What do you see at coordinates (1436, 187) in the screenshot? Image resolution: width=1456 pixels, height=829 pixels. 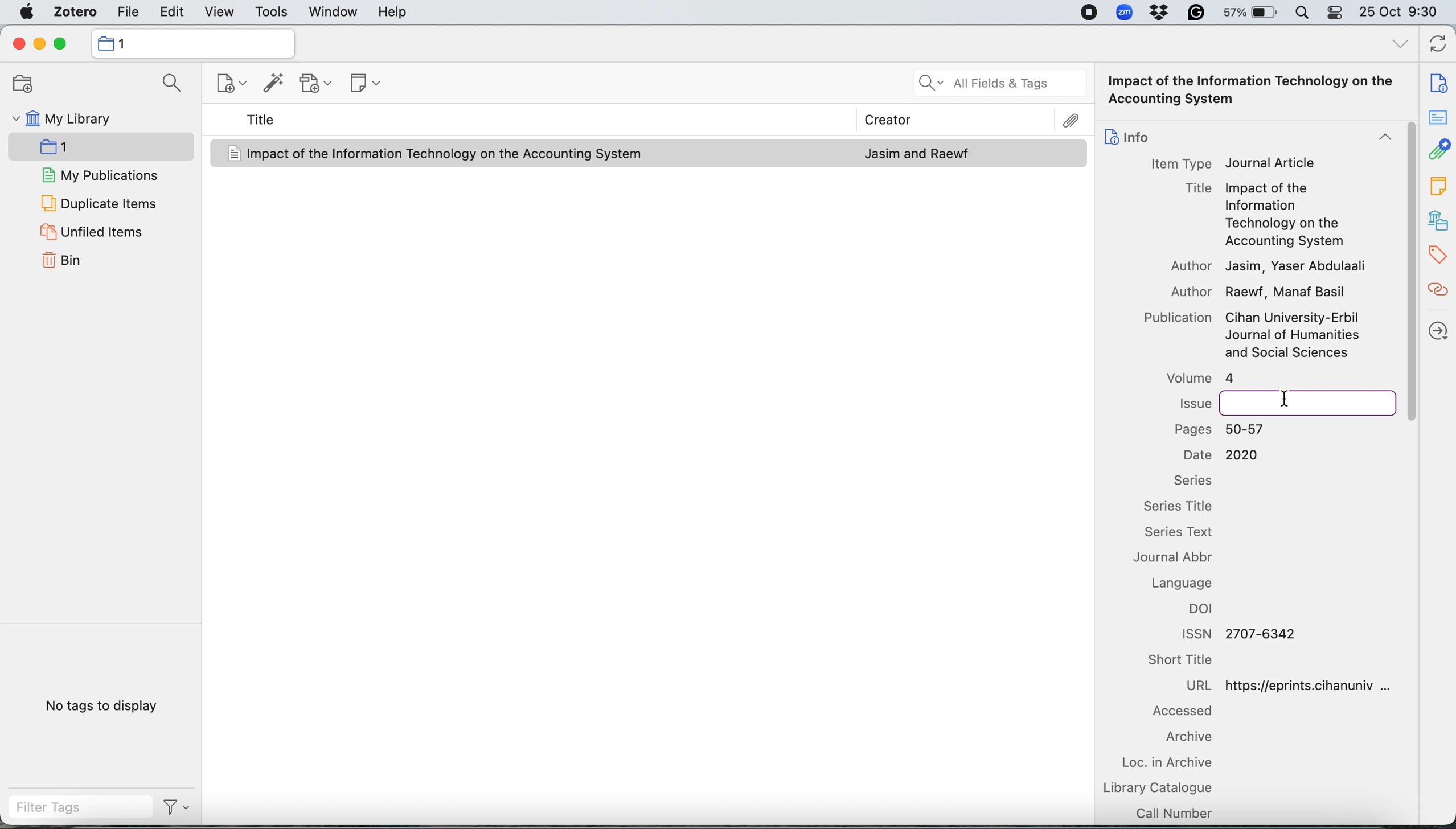 I see `tags` at bounding box center [1436, 187].